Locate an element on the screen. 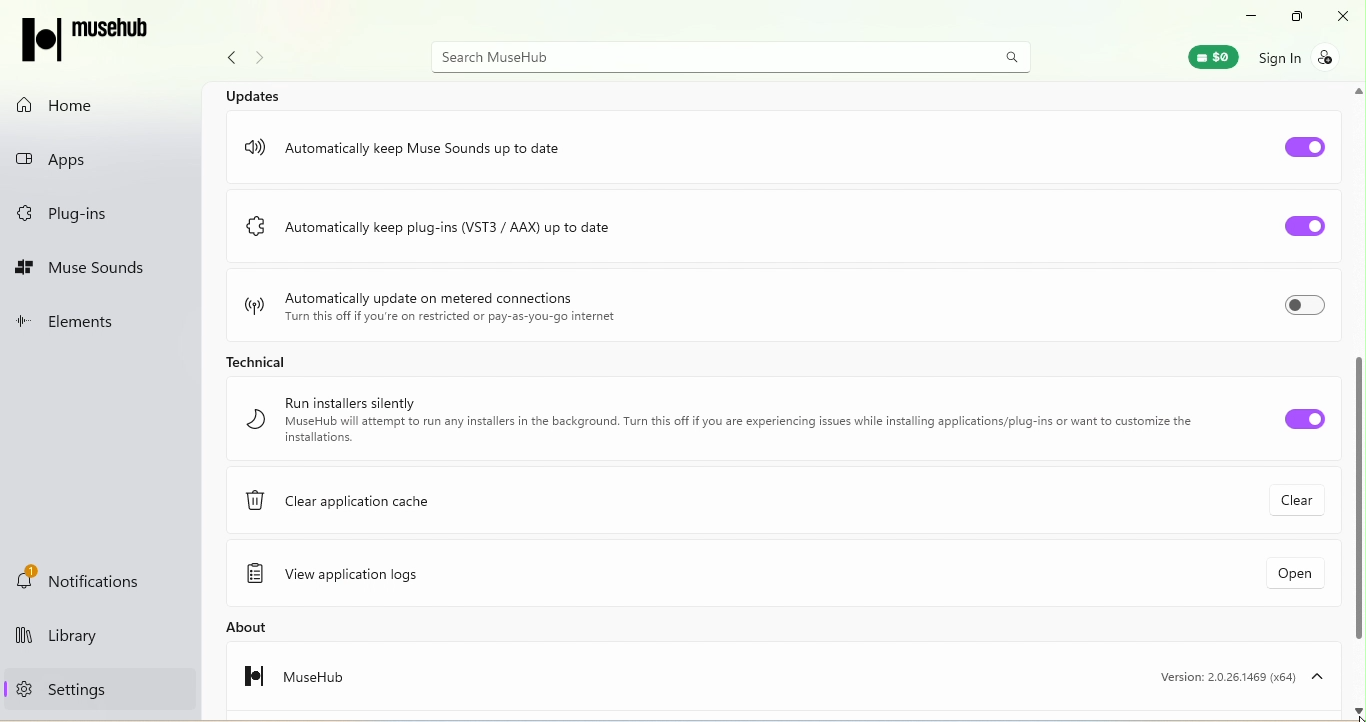  Muse Wallet is located at coordinates (1203, 56).